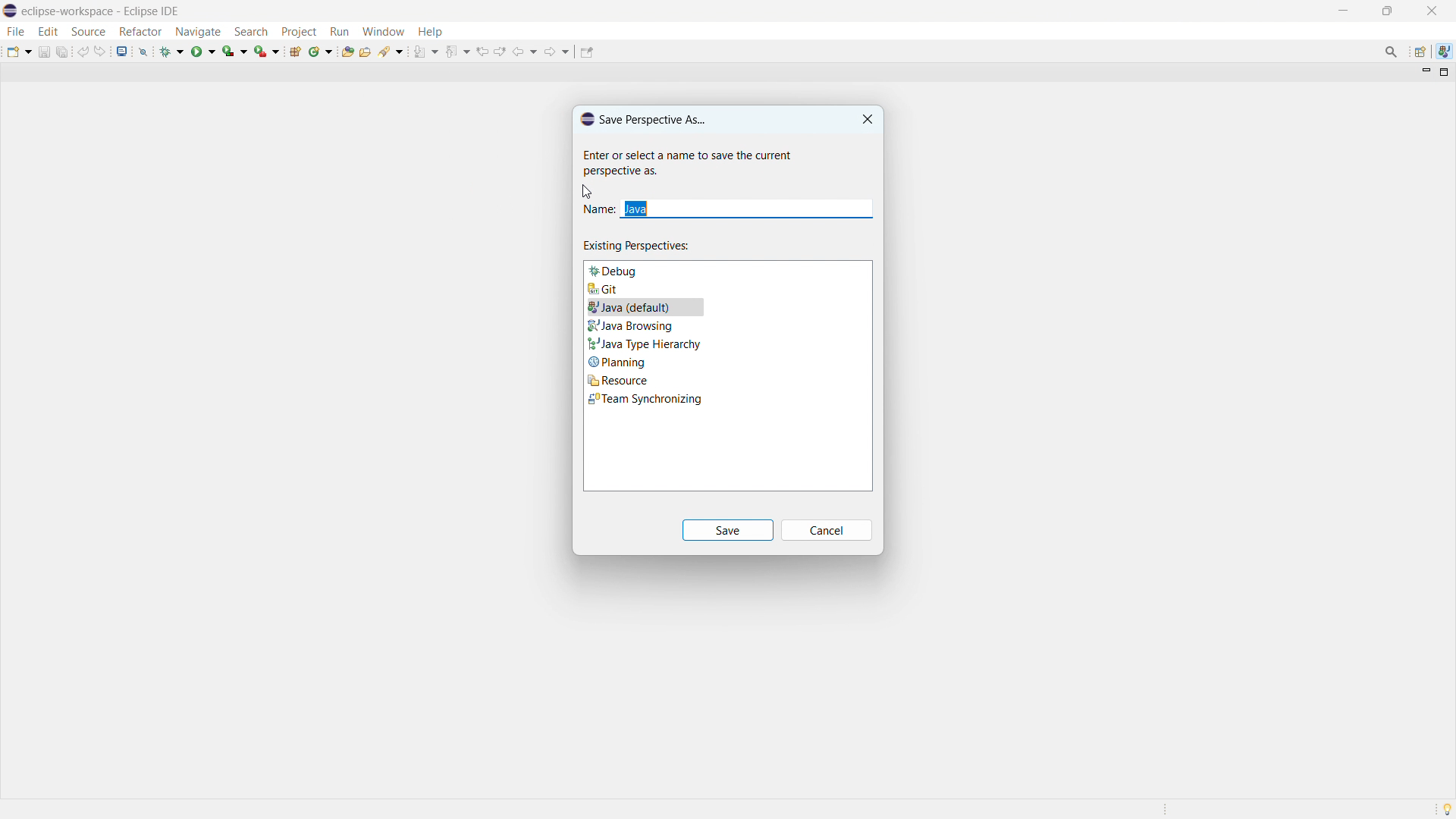 This screenshot has height=819, width=1456. What do you see at coordinates (457, 52) in the screenshot?
I see `previous annotation` at bounding box center [457, 52].